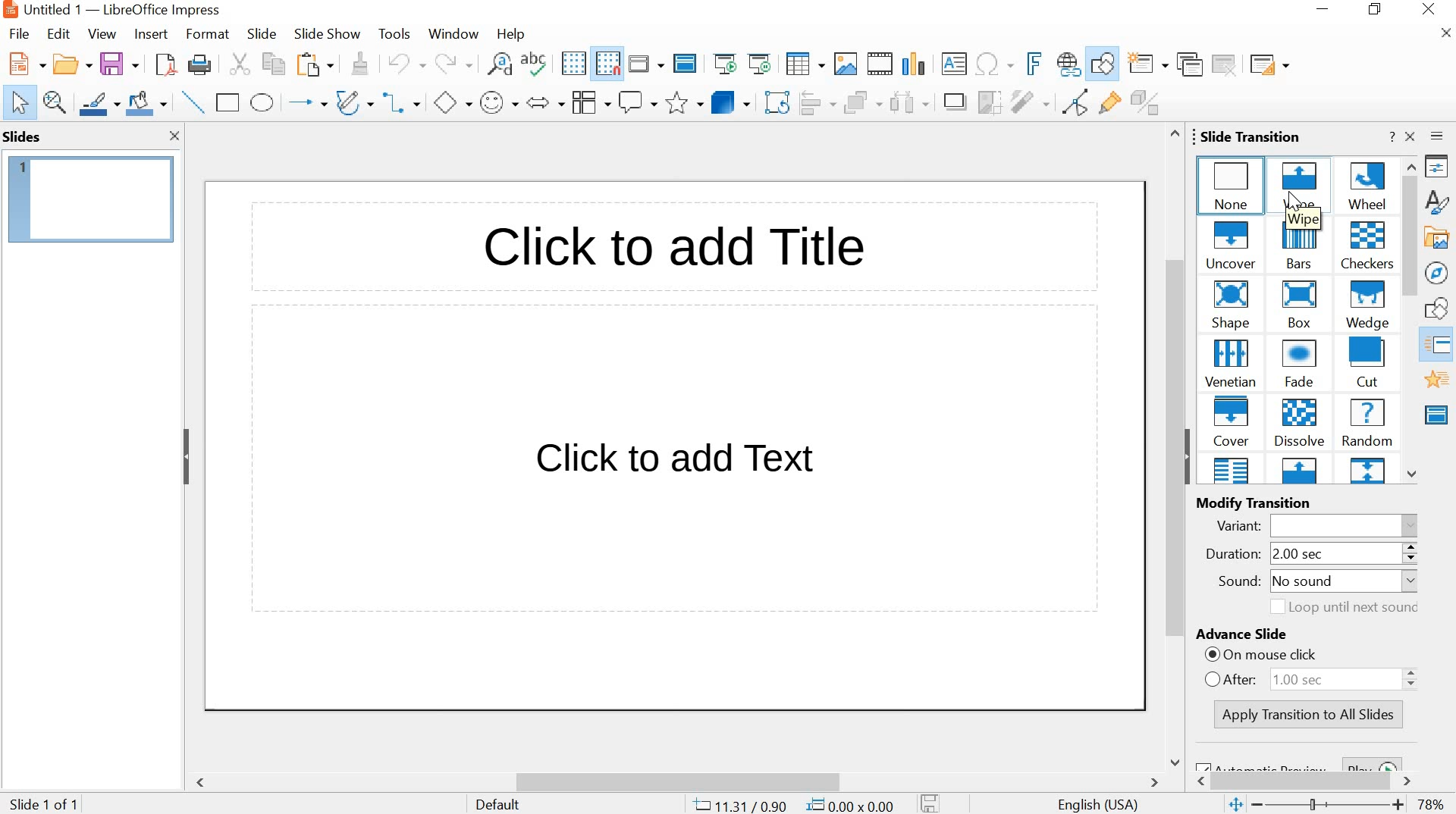 The image size is (1456, 814). I want to click on NAVIGATOR, so click(1438, 274).